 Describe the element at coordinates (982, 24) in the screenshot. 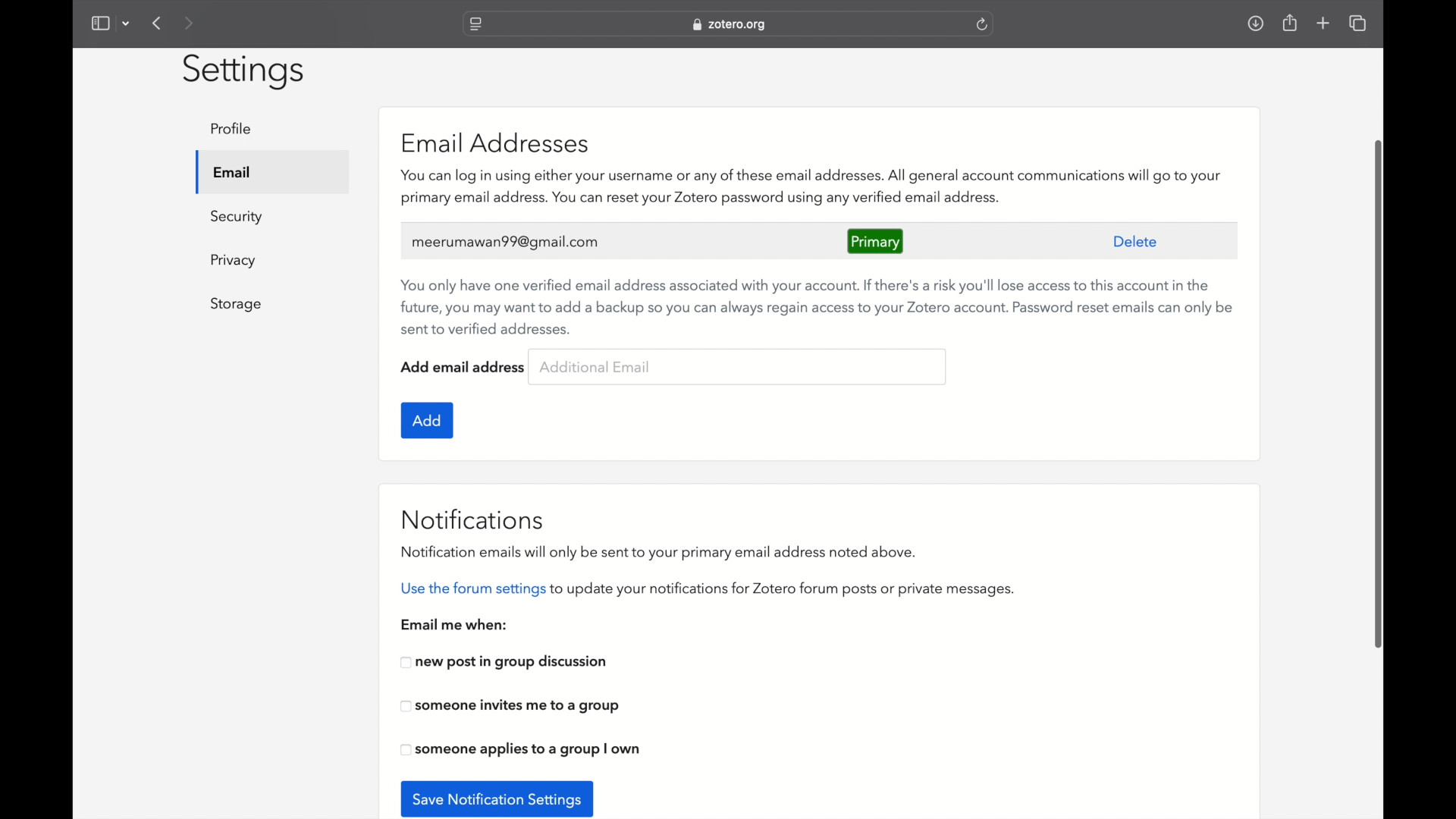

I see `refresh` at that location.